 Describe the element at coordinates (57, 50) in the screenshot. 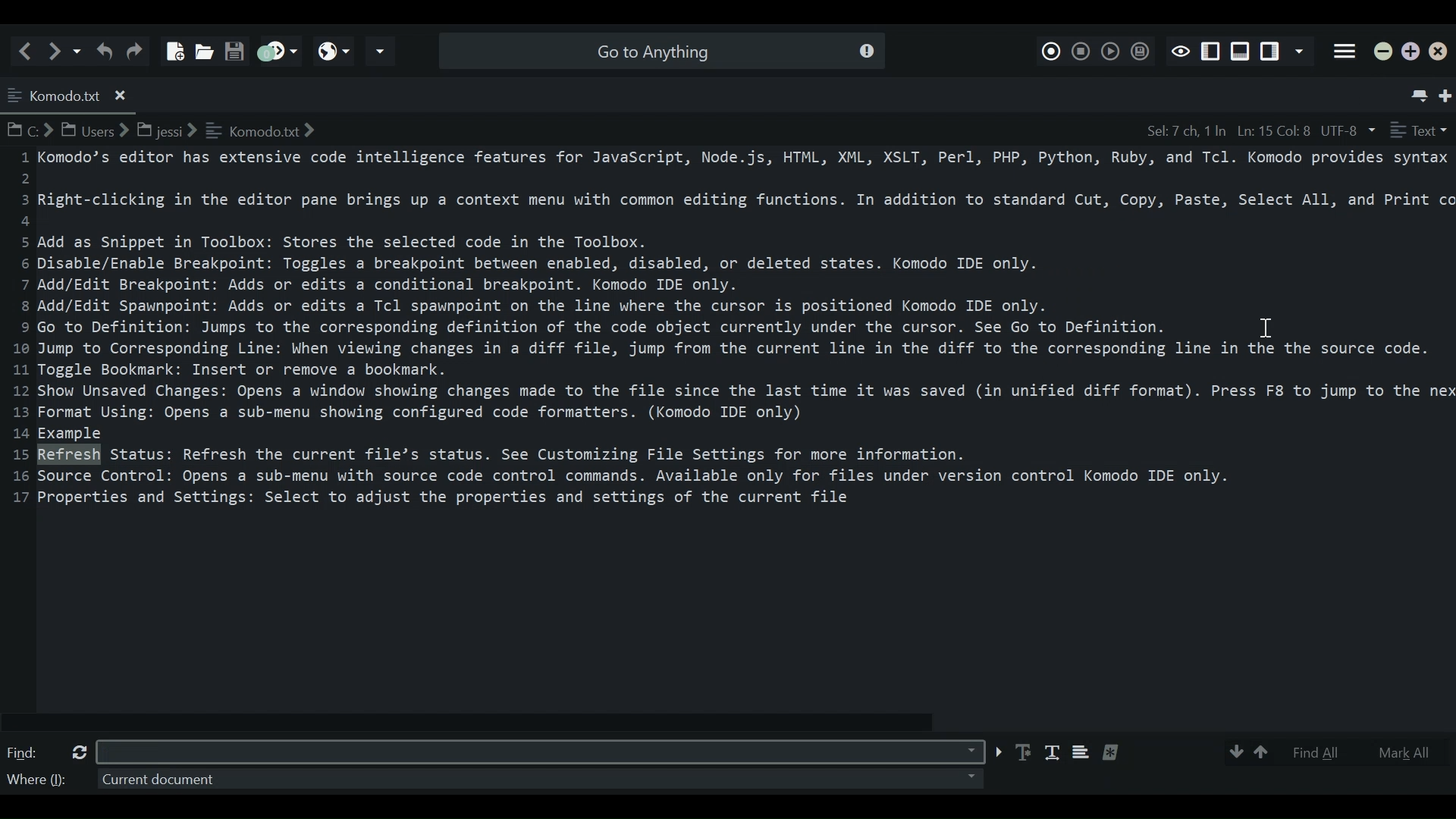

I see `Go forward one location` at that location.